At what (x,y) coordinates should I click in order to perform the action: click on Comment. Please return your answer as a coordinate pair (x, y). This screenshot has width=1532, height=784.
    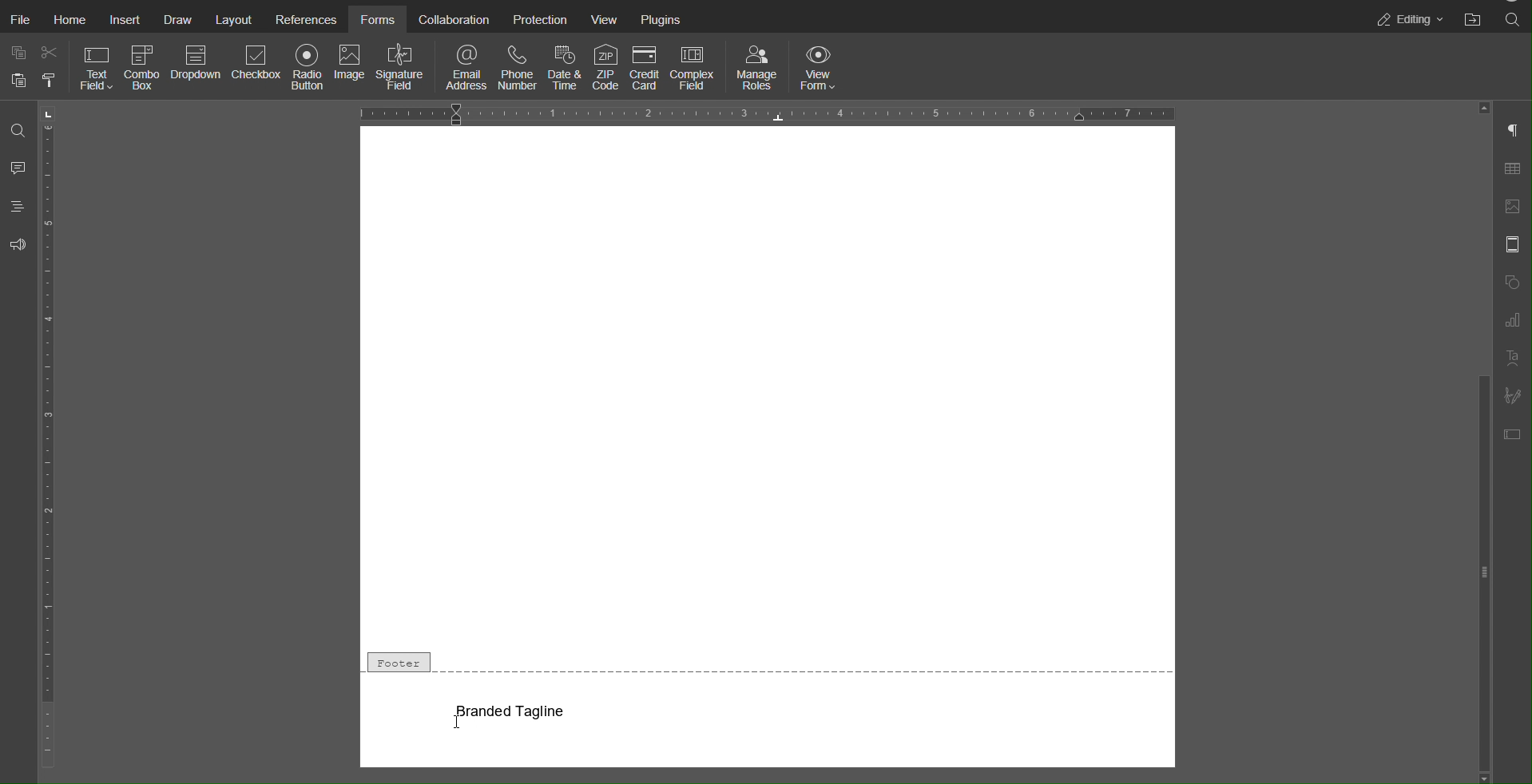
    Looking at the image, I should click on (18, 168).